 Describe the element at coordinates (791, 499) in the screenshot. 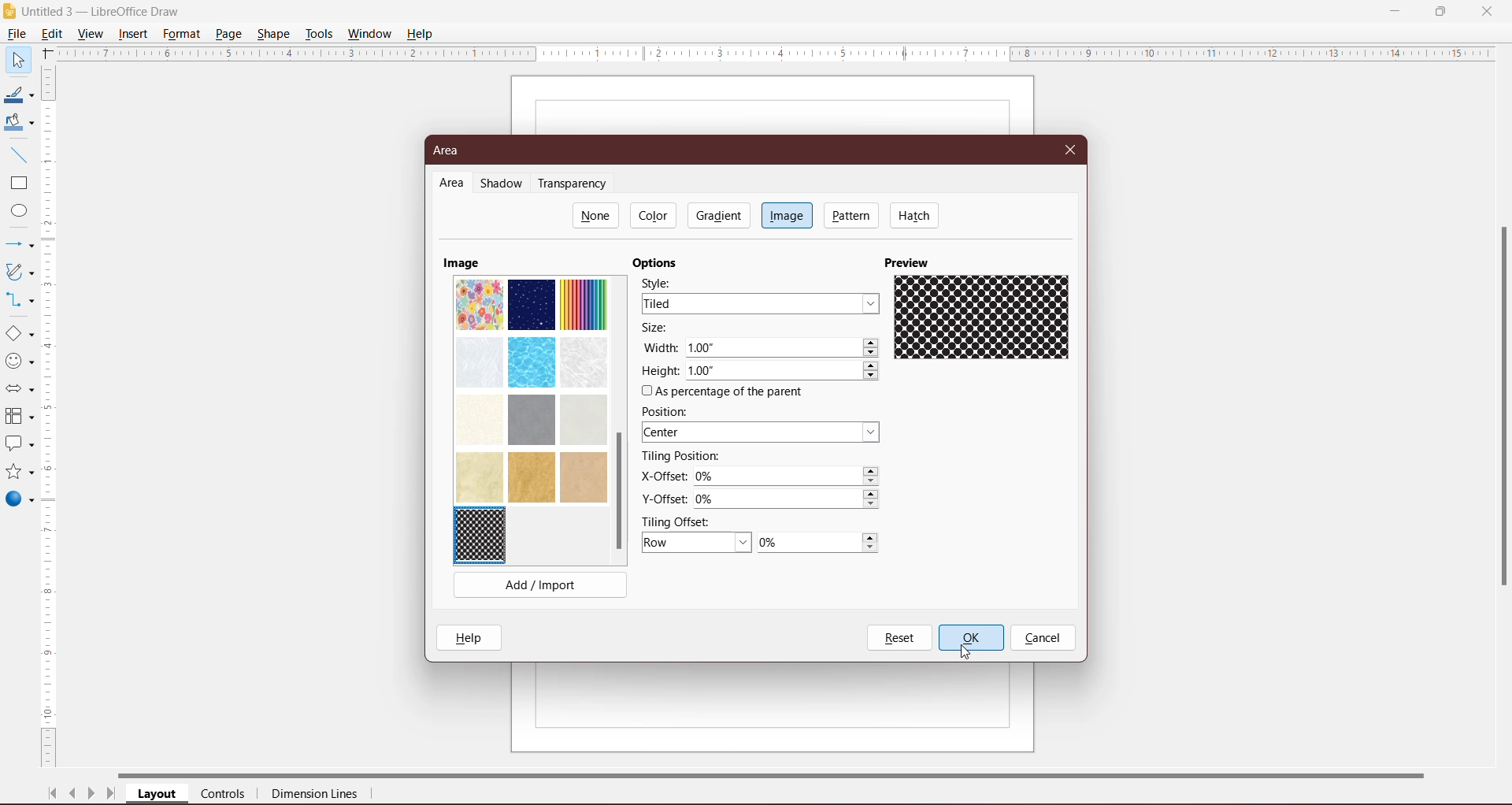

I see `Set the Y-Offset` at that location.